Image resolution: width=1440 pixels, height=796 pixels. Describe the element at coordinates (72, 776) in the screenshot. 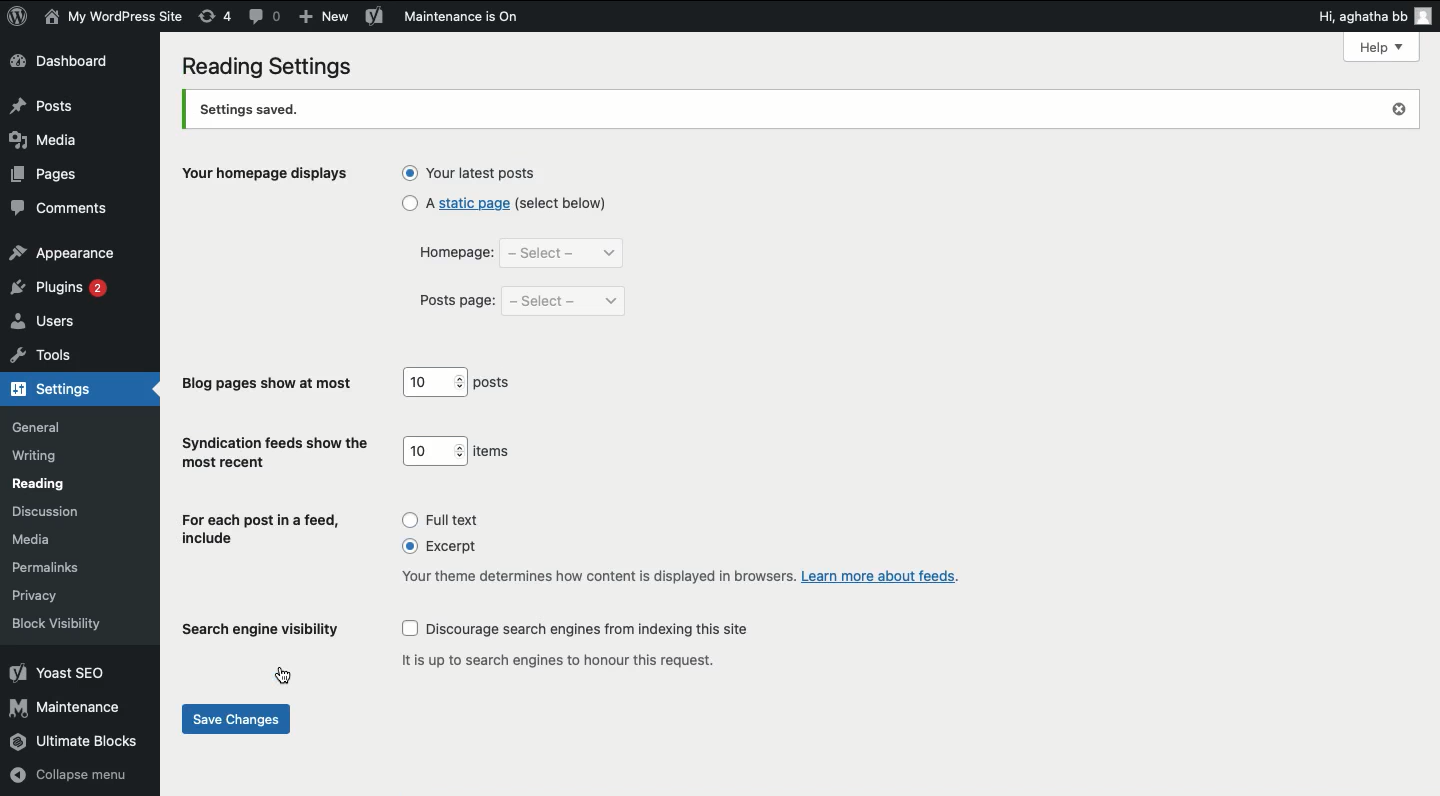

I see `collapse menu` at that location.